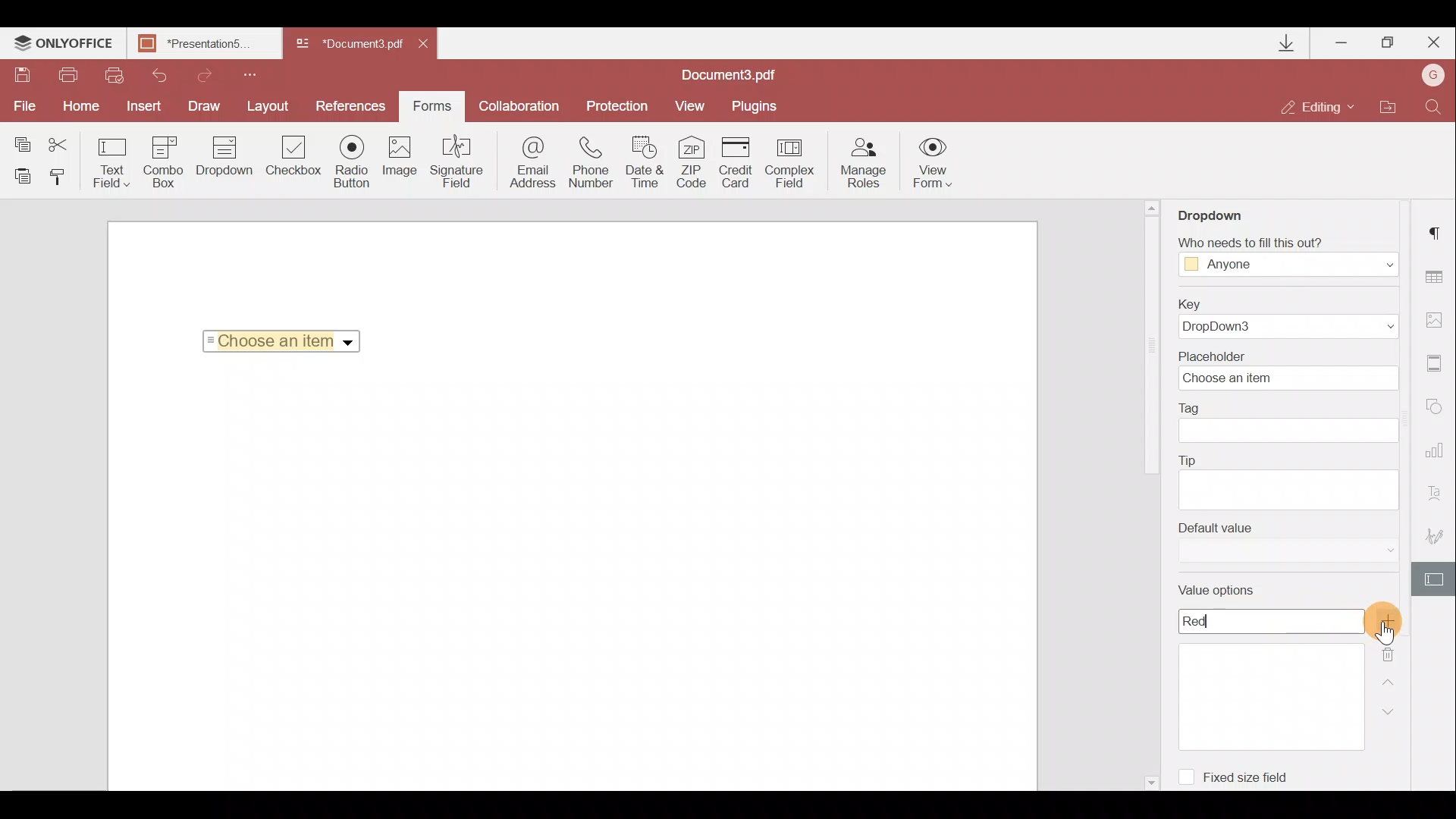 This screenshot has height=819, width=1456. Describe the element at coordinates (1255, 780) in the screenshot. I see `Fixed size field` at that location.